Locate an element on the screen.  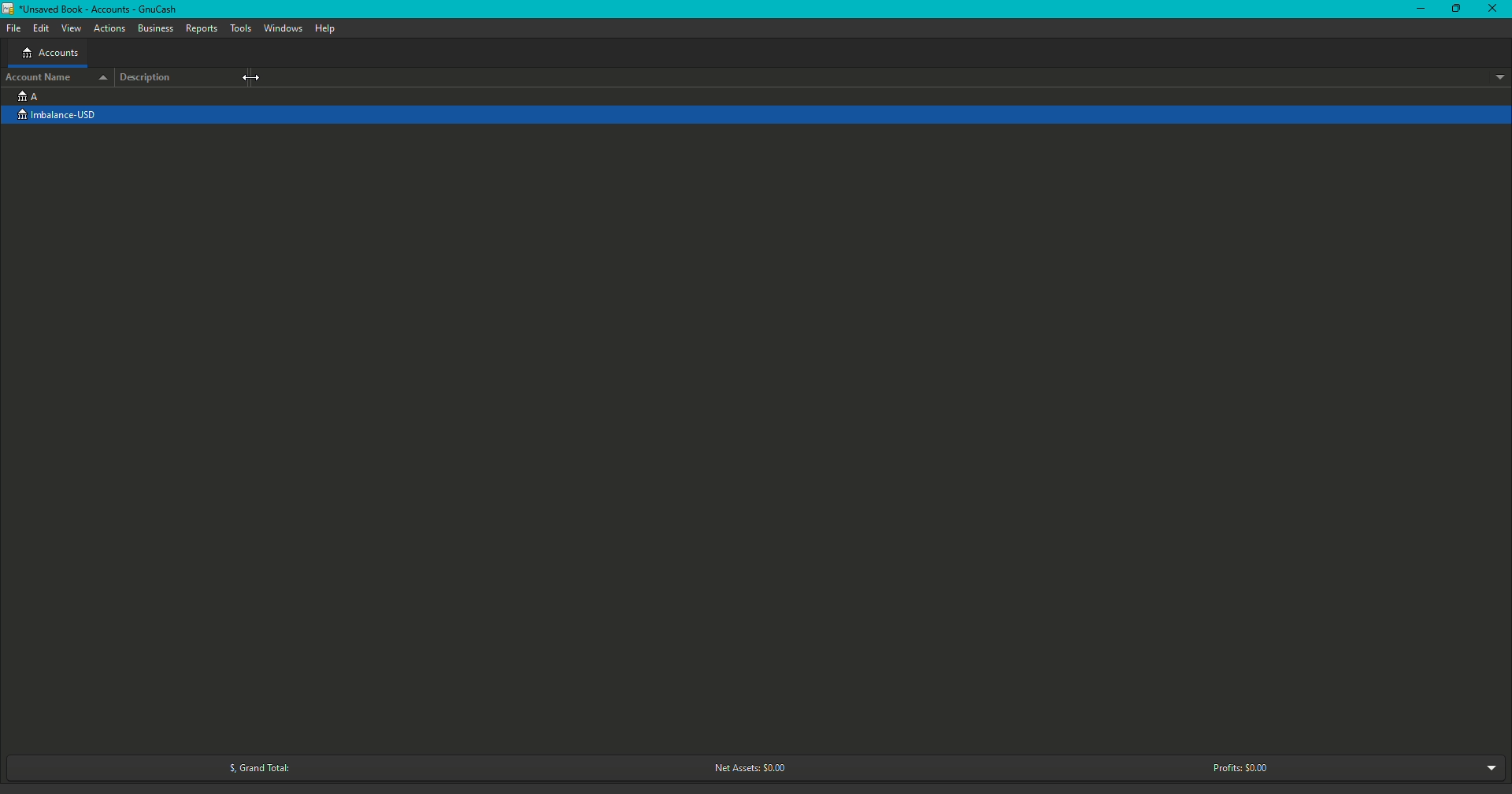
Edit is located at coordinates (41, 29).